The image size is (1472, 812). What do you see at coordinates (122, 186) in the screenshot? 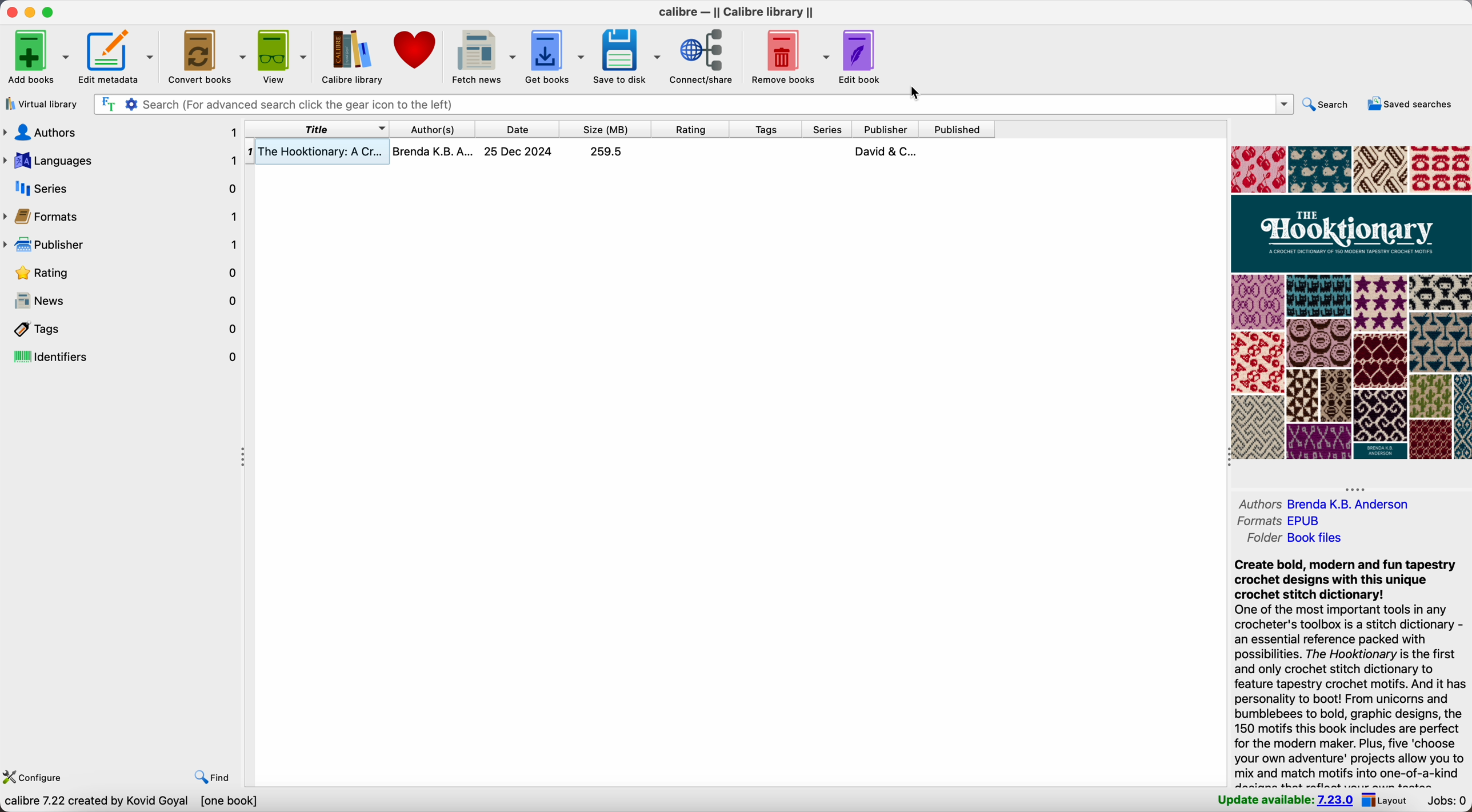
I see `series` at bounding box center [122, 186].